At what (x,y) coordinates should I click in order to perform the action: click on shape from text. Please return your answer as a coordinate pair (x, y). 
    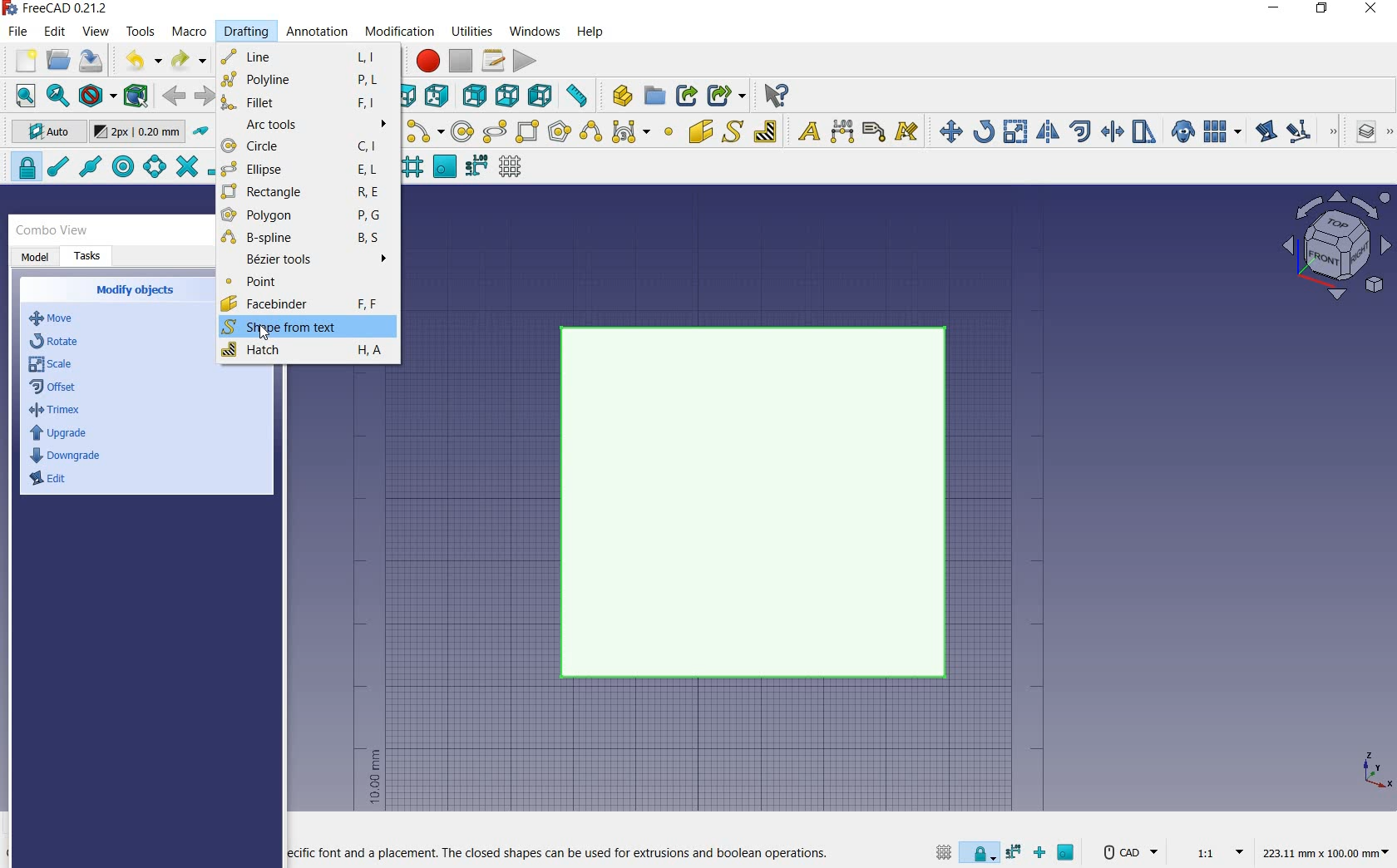
    Looking at the image, I should click on (732, 131).